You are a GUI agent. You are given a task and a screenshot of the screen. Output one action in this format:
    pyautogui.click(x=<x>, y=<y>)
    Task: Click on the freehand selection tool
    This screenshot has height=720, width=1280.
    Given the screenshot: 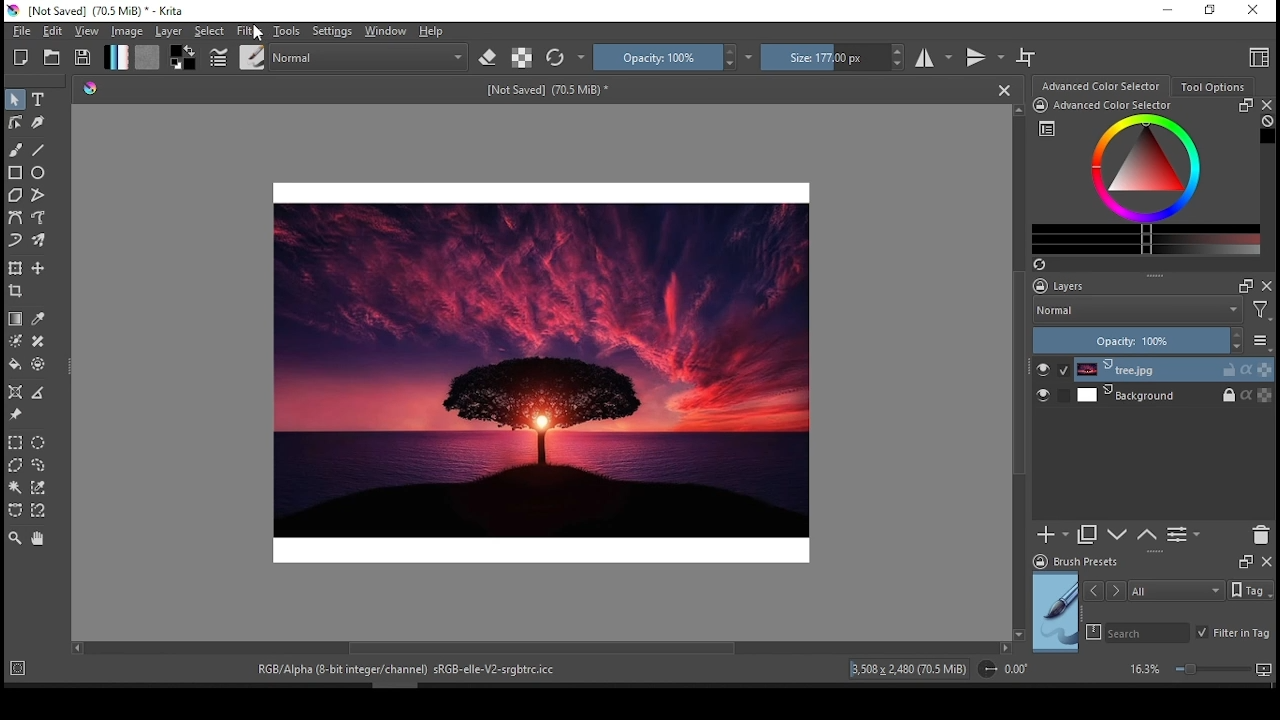 What is the action you would take?
    pyautogui.click(x=39, y=464)
    